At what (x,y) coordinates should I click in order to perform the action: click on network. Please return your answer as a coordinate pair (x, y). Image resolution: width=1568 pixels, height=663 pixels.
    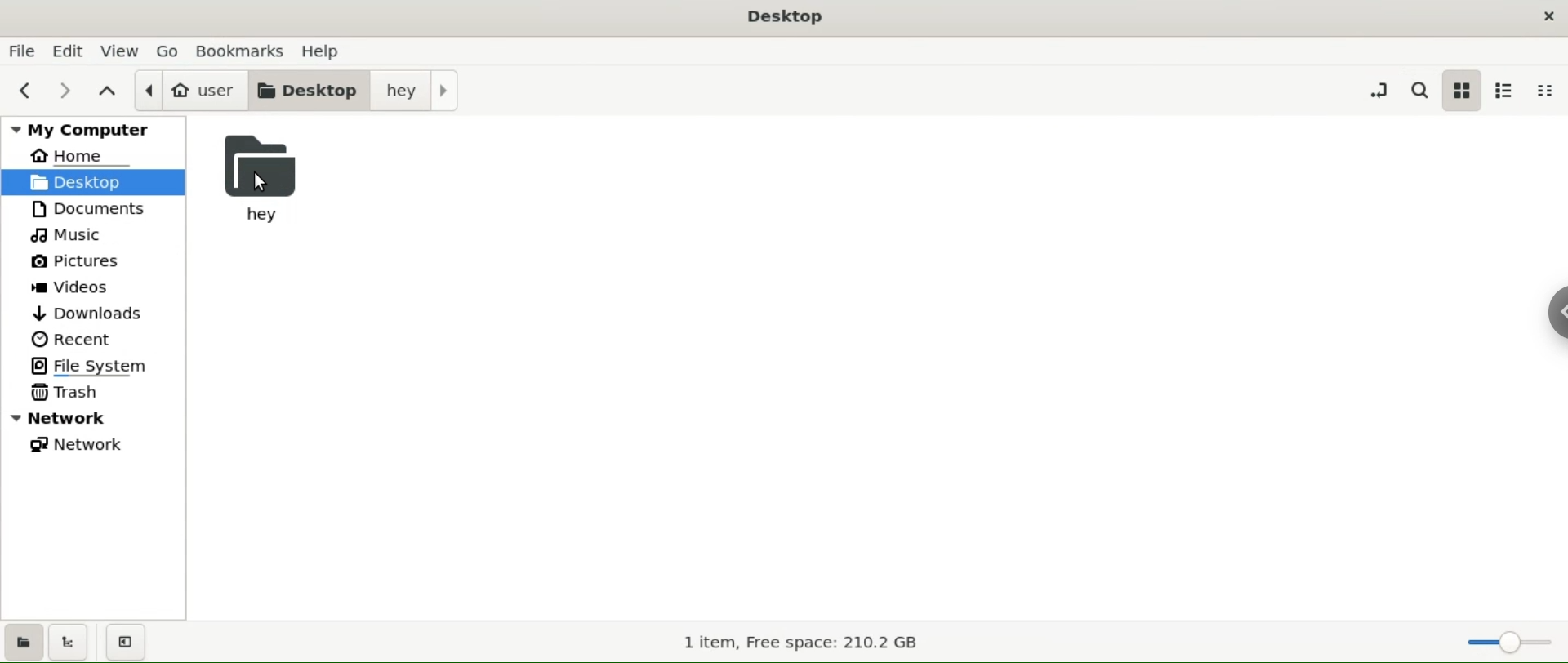
    Looking at the image, I should click on (80, 444).